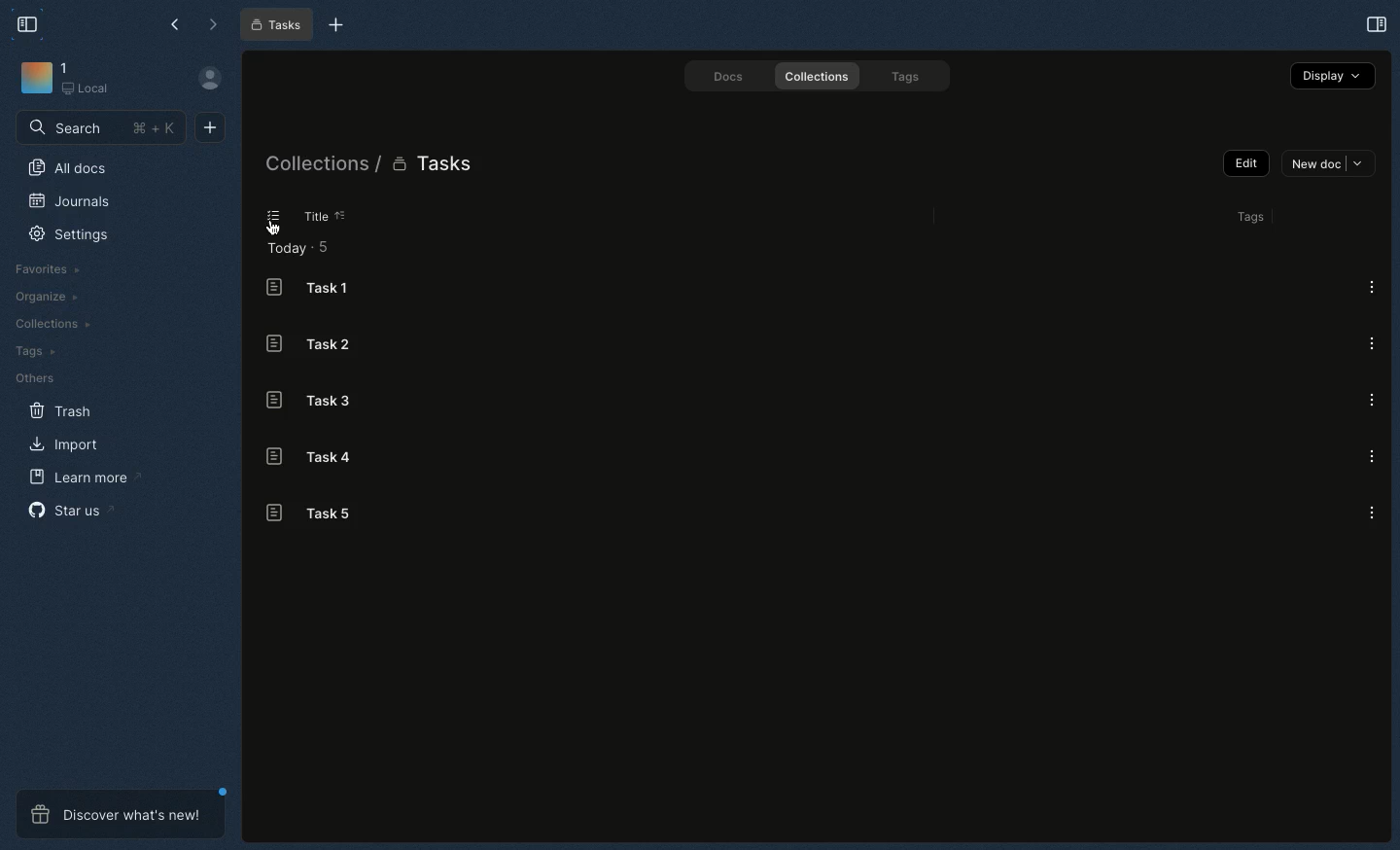  Describe the element at coordinates (122, 814) in the screenshot. I see `Discover what's new!` at that location.